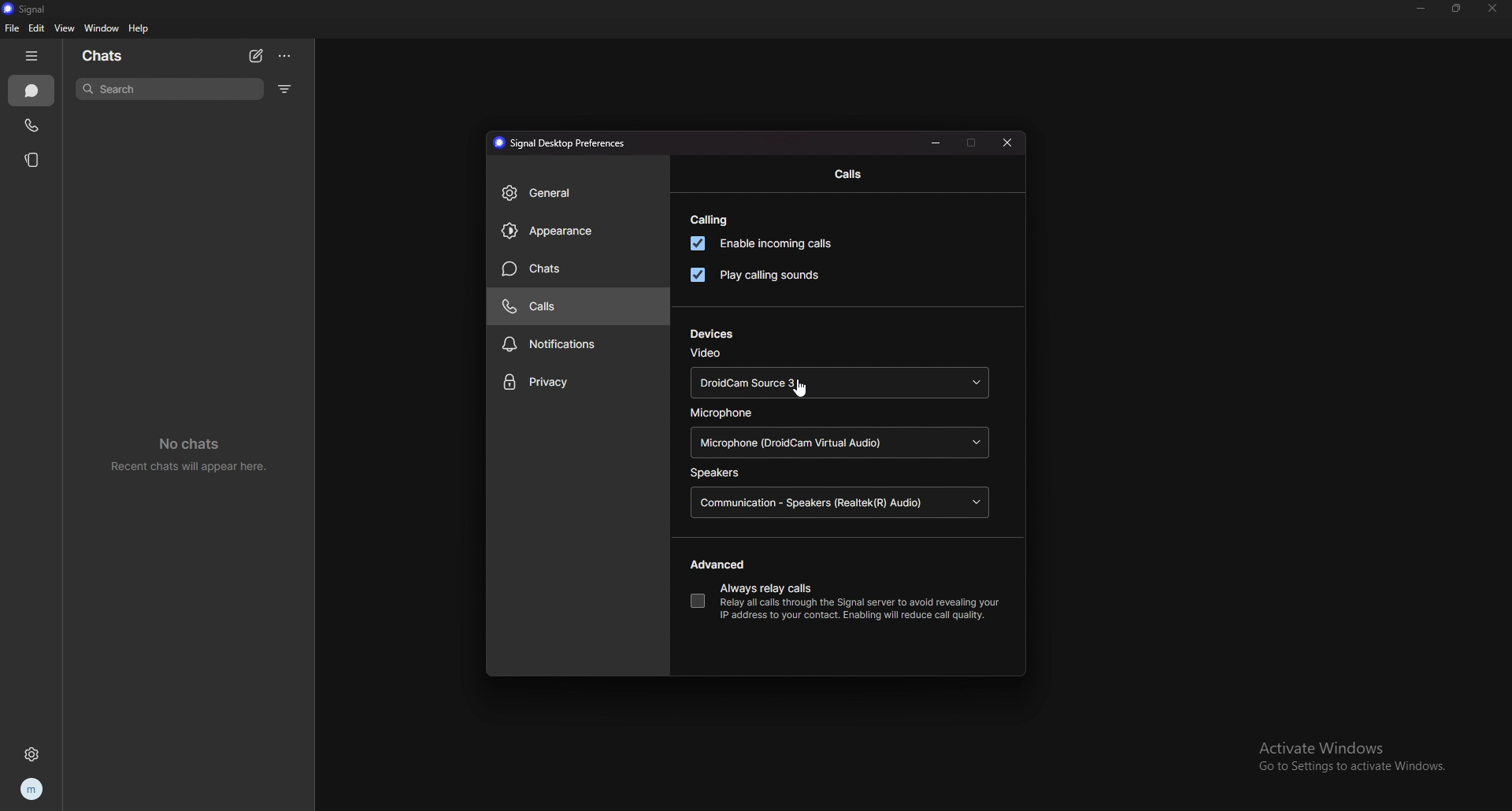  I want to click on settings, so click(35, 754).